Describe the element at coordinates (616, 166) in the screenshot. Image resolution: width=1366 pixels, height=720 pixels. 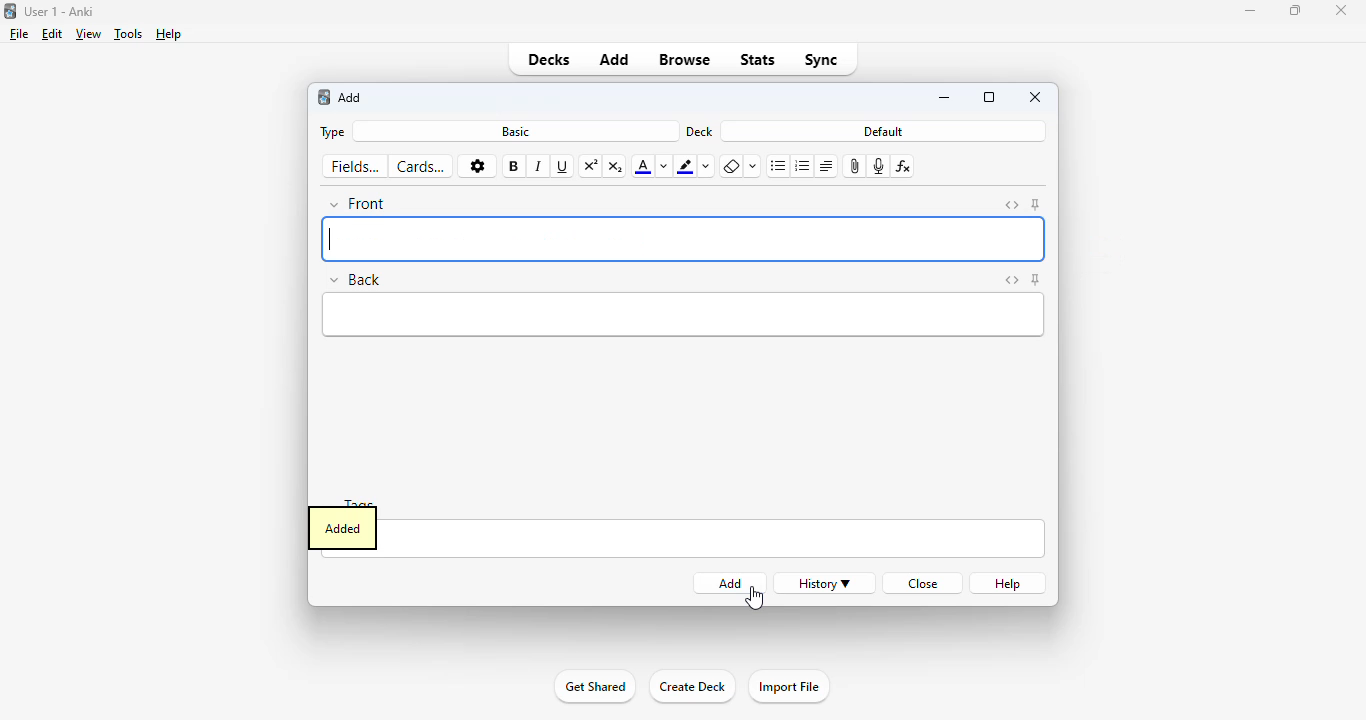
I see `subscript` at that location.